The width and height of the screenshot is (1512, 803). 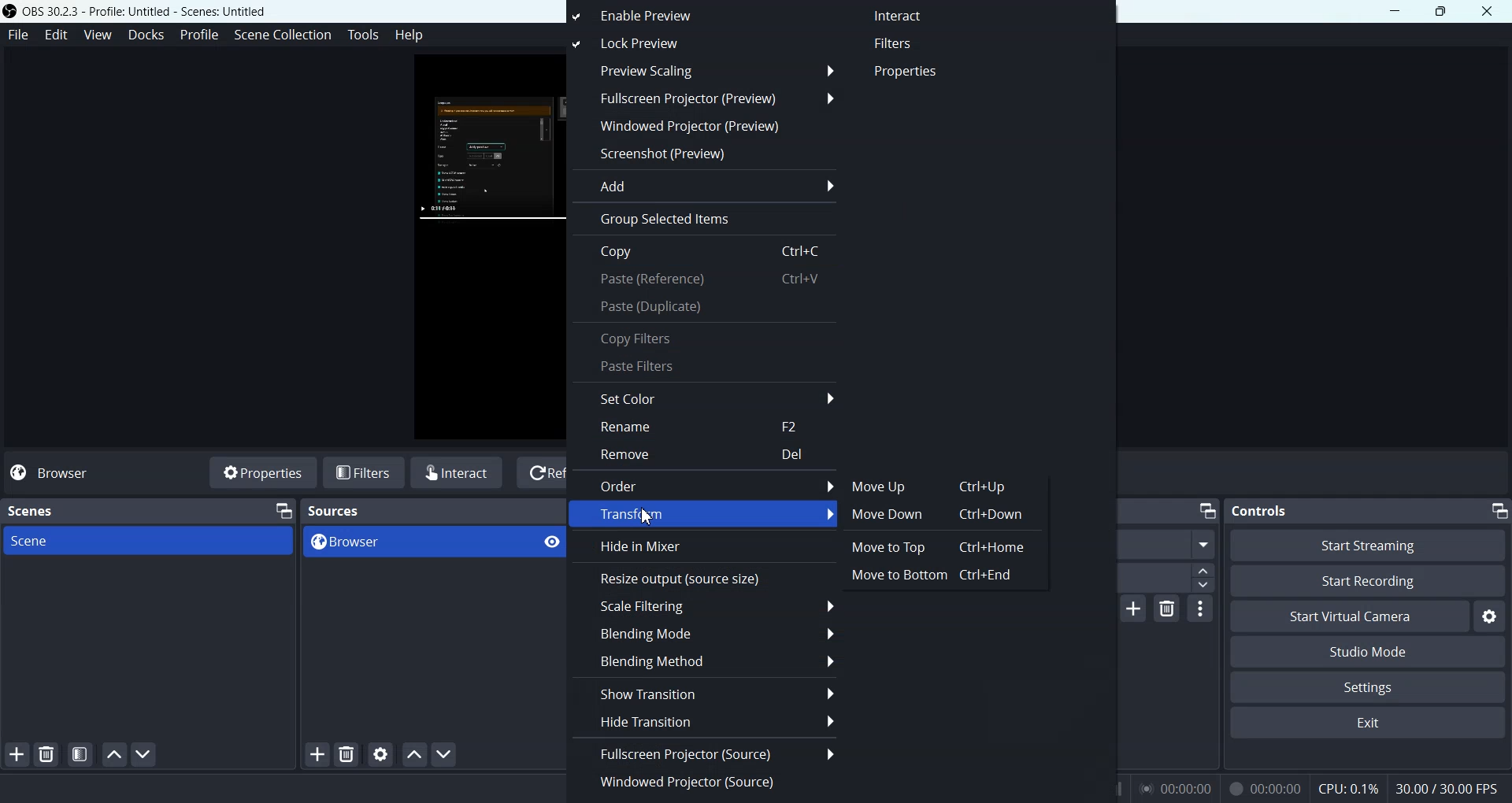 What do you see at coordinates (33, 511) in the screenshot?
I see `Scenes` at bounding box center [33, 511].